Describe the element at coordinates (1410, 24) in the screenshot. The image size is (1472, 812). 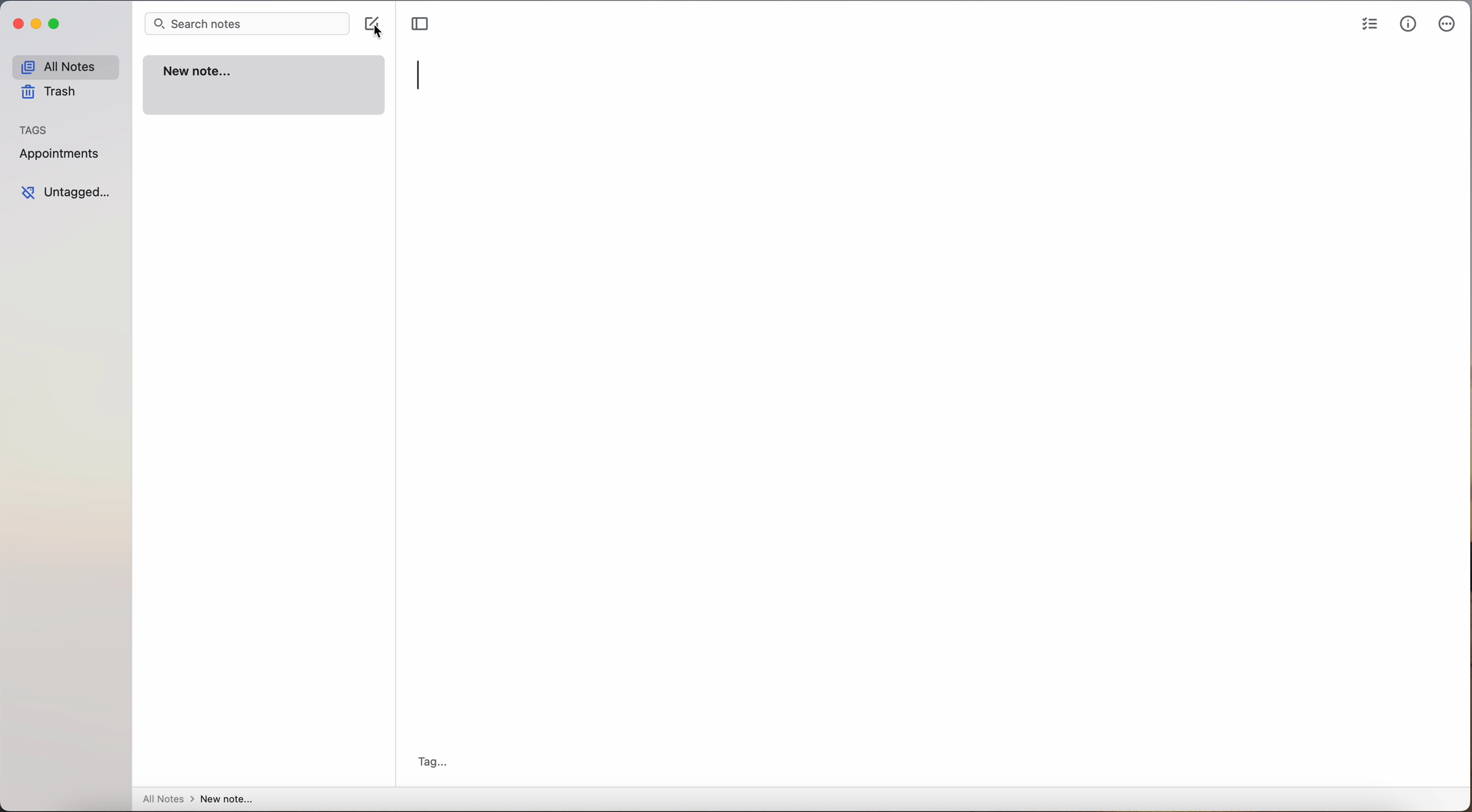
I see `metrics` at that location.